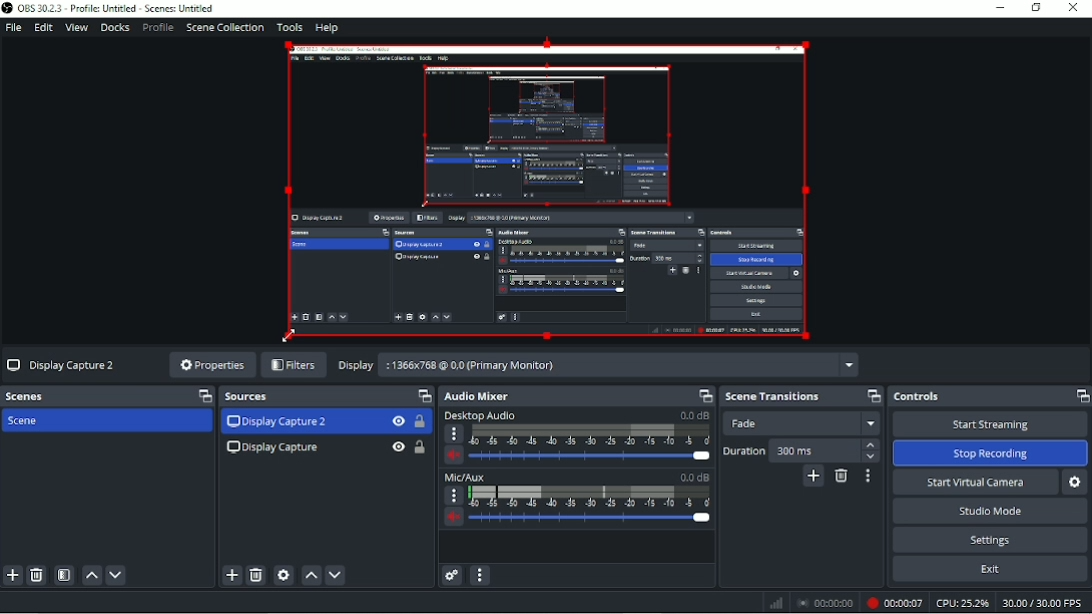 The image size is (1092, 614). Describe the element at coordinates (589, 457) in the screenshot. I see `slider` at that location.